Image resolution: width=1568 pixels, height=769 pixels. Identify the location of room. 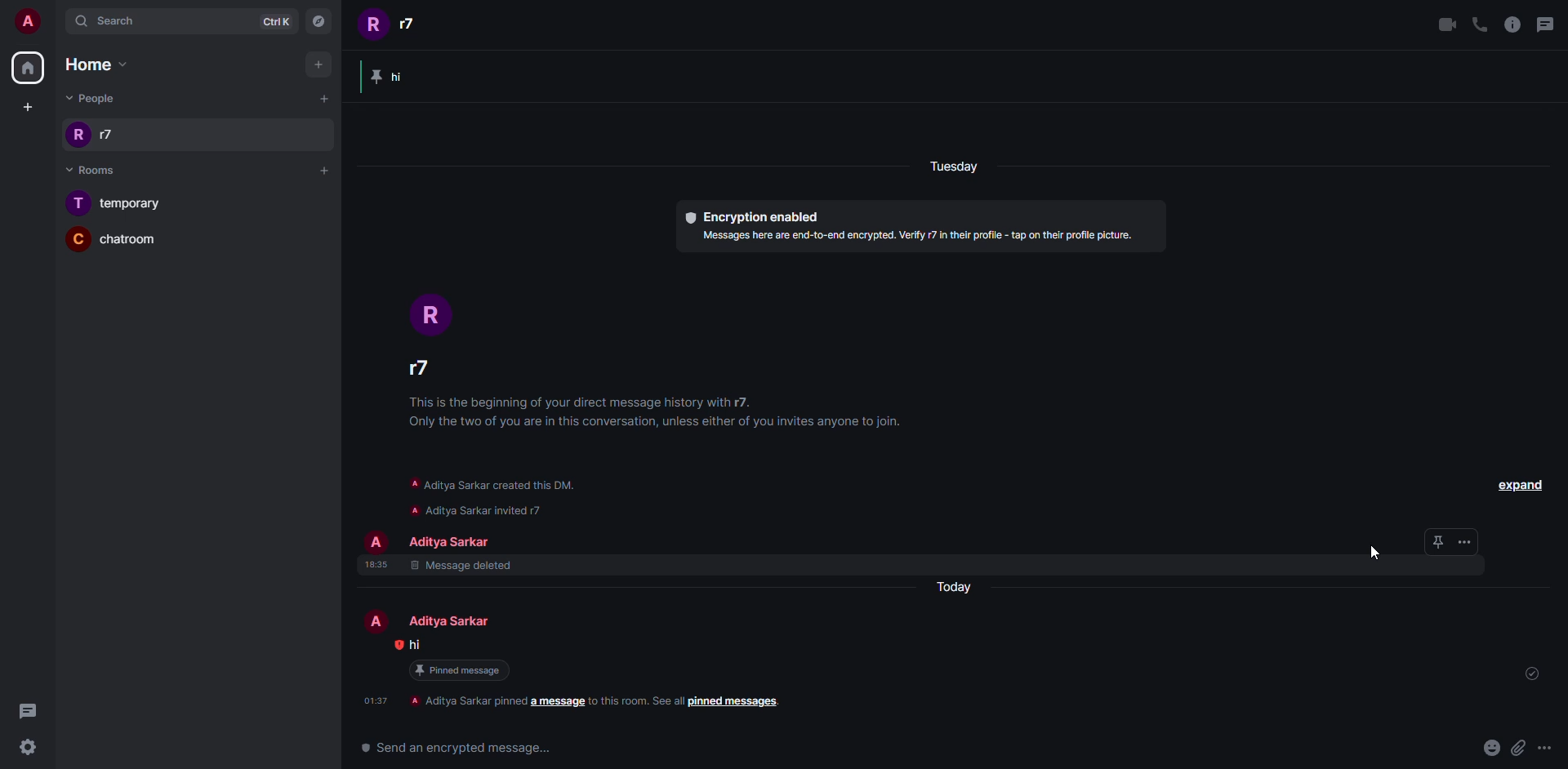
(116, 241).